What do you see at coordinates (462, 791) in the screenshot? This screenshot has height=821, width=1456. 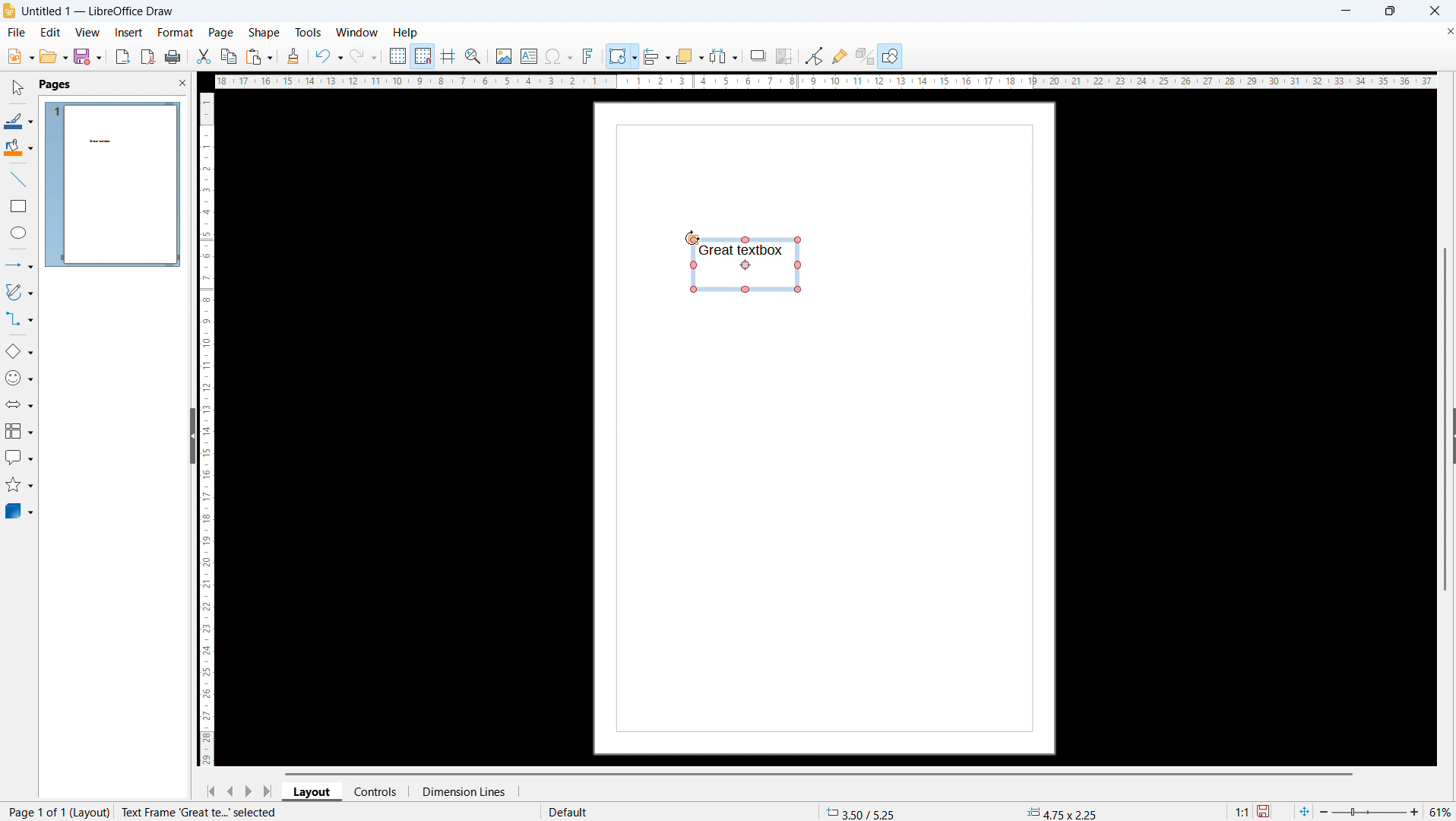 I see `dimension lines` at bounding box center [462, 791].